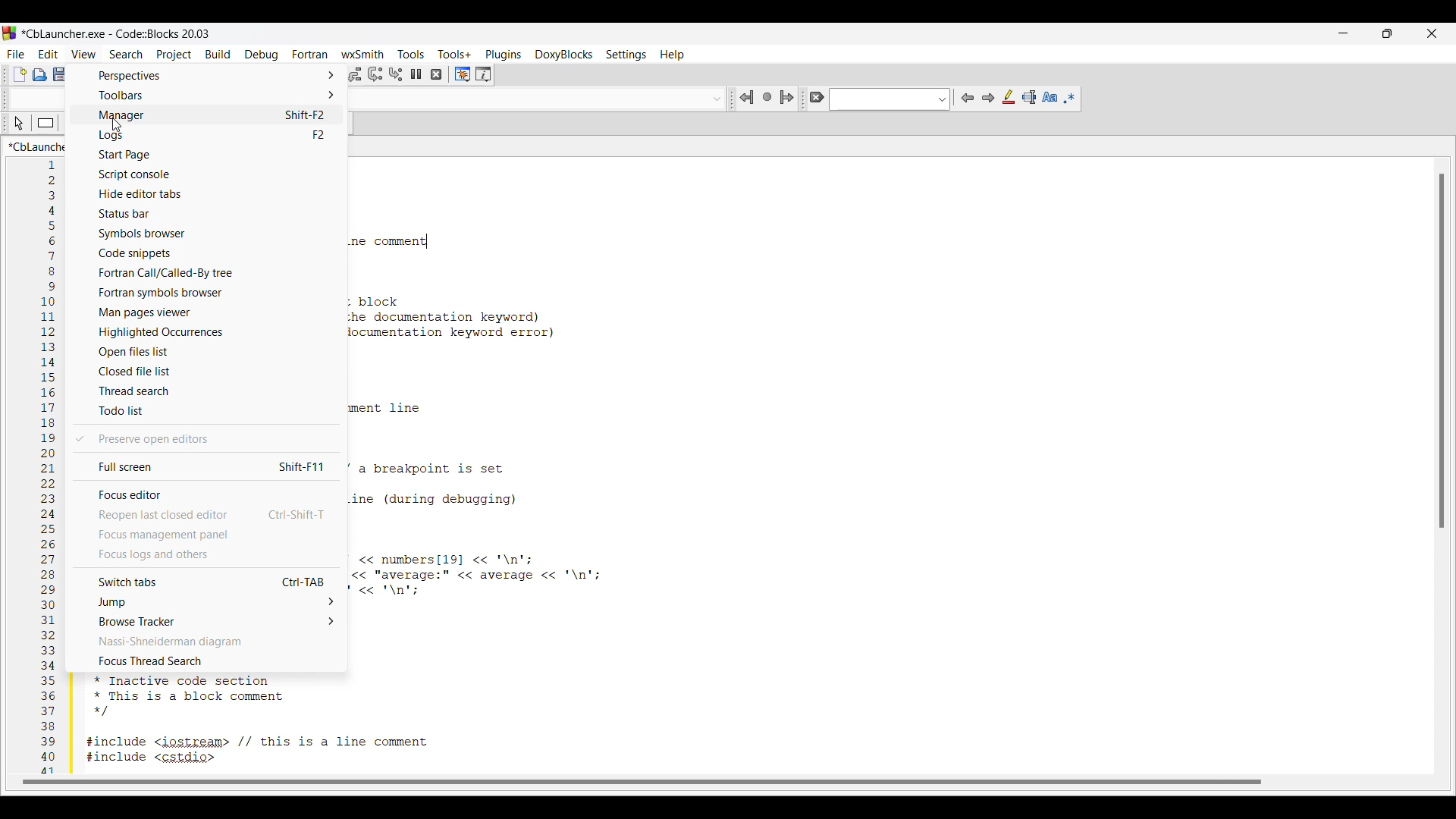  What do you see at coordinates (1432, 33) in the screenshot?
I see `Close interface` at bounding box center [1432, 33].